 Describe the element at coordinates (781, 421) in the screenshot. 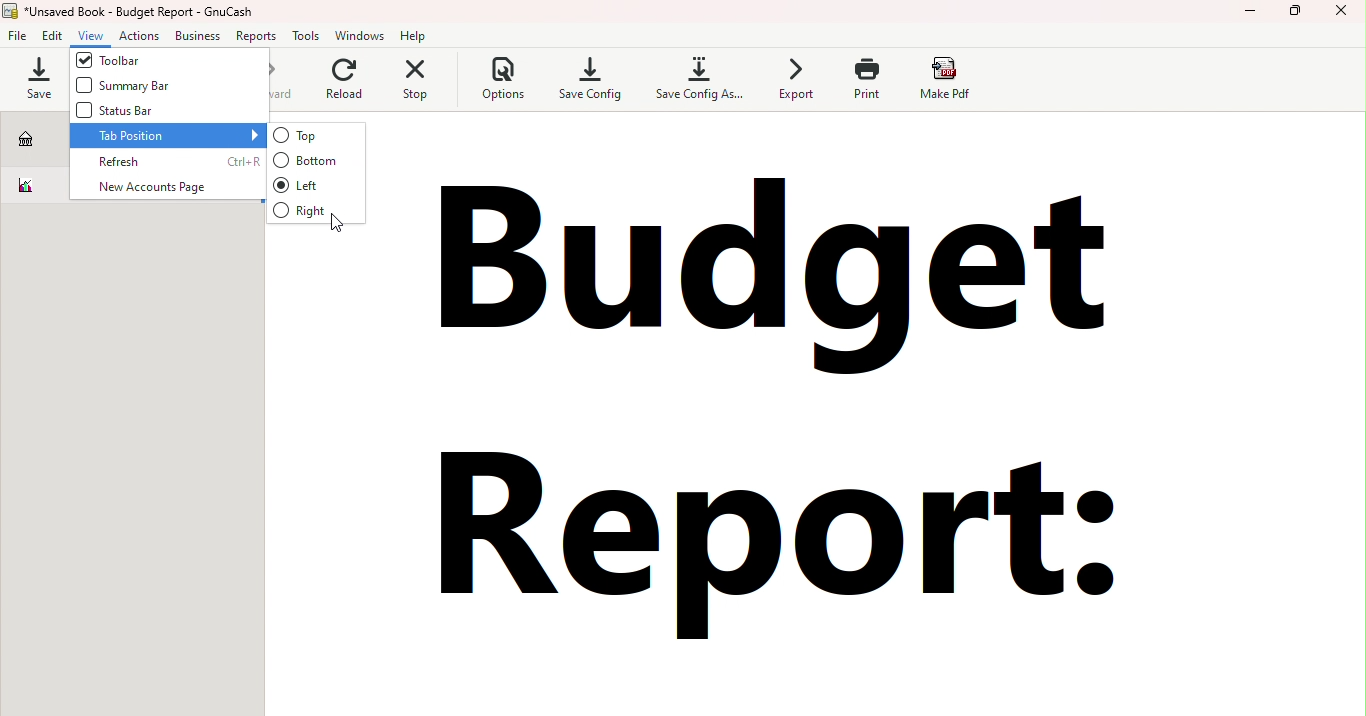

I see `Budget report` at that location.